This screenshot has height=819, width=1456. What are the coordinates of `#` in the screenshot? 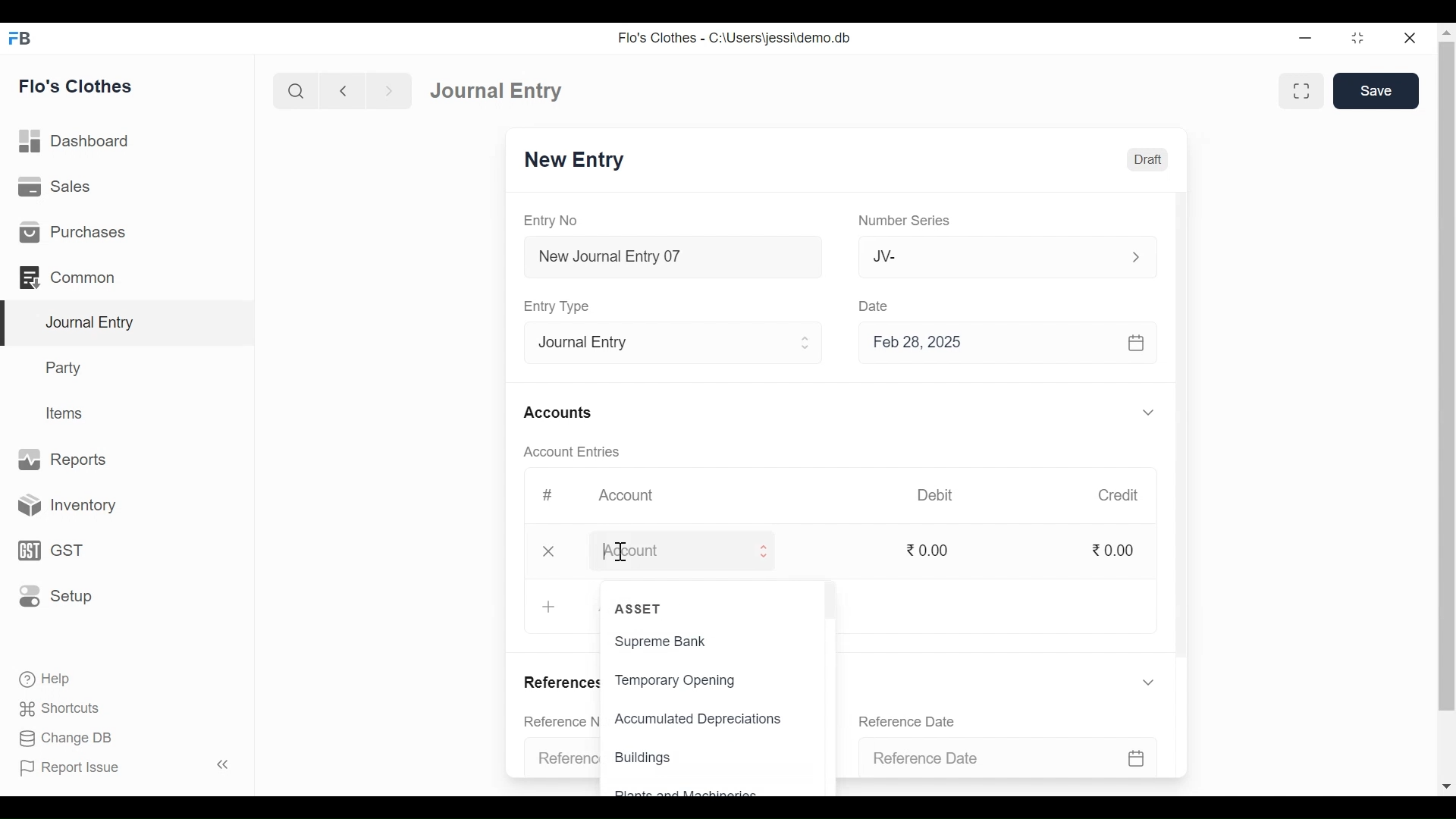 It's located at (548, 495).